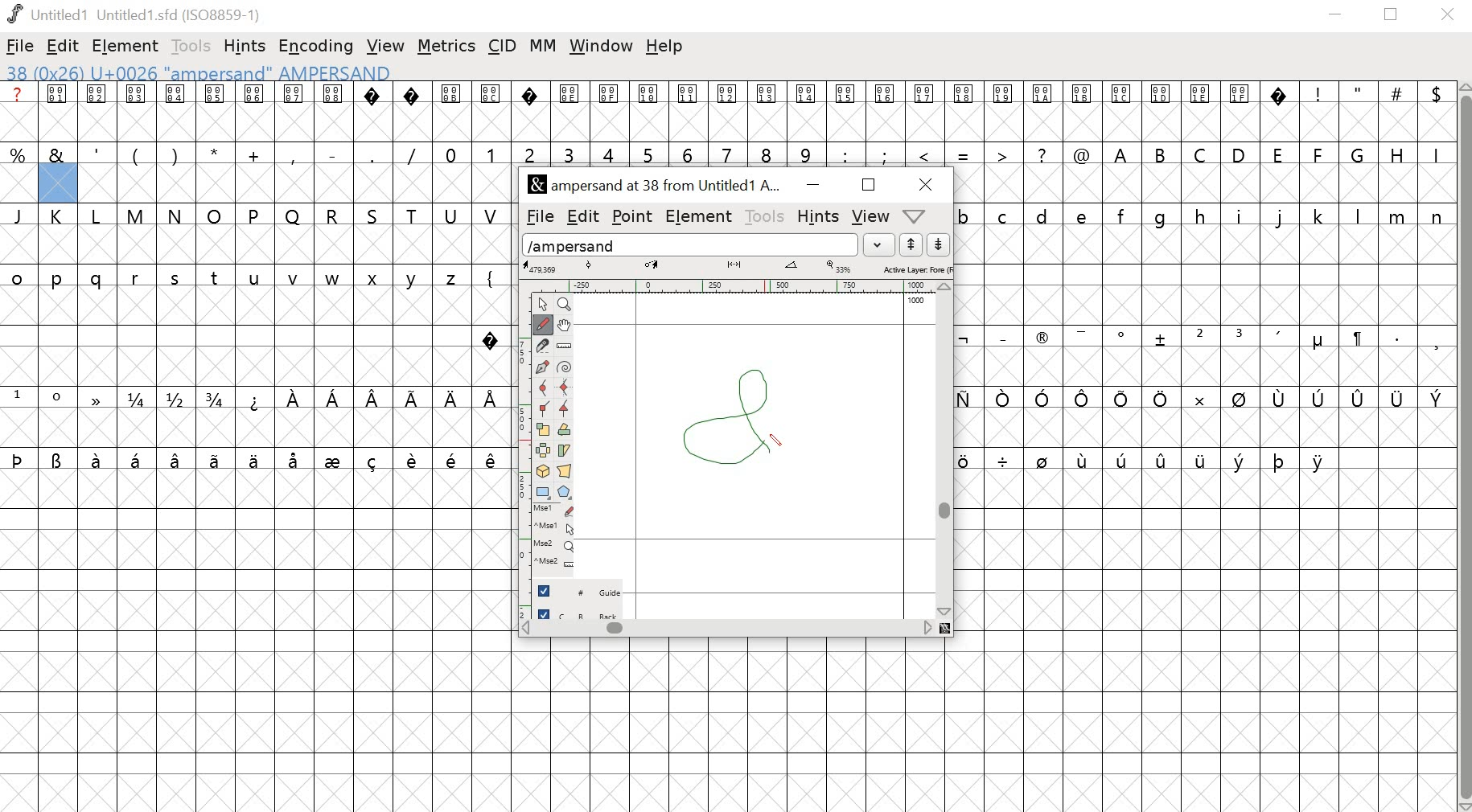 Image resolution: width=1472 pixels, height=812 pixels. Describe the element at coordinates (1043, 154) in the screenshot. I see `?` at that location.